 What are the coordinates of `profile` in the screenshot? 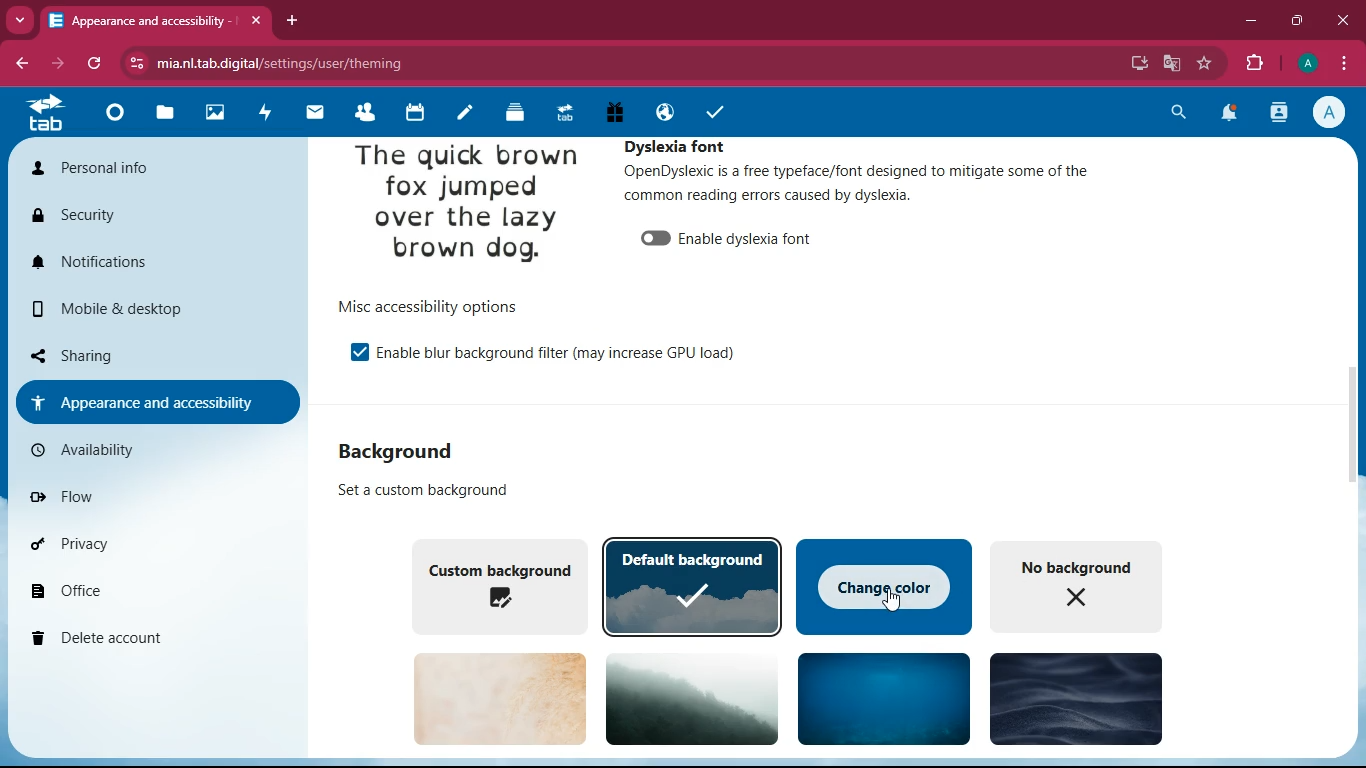 It's located at (1307, 63).